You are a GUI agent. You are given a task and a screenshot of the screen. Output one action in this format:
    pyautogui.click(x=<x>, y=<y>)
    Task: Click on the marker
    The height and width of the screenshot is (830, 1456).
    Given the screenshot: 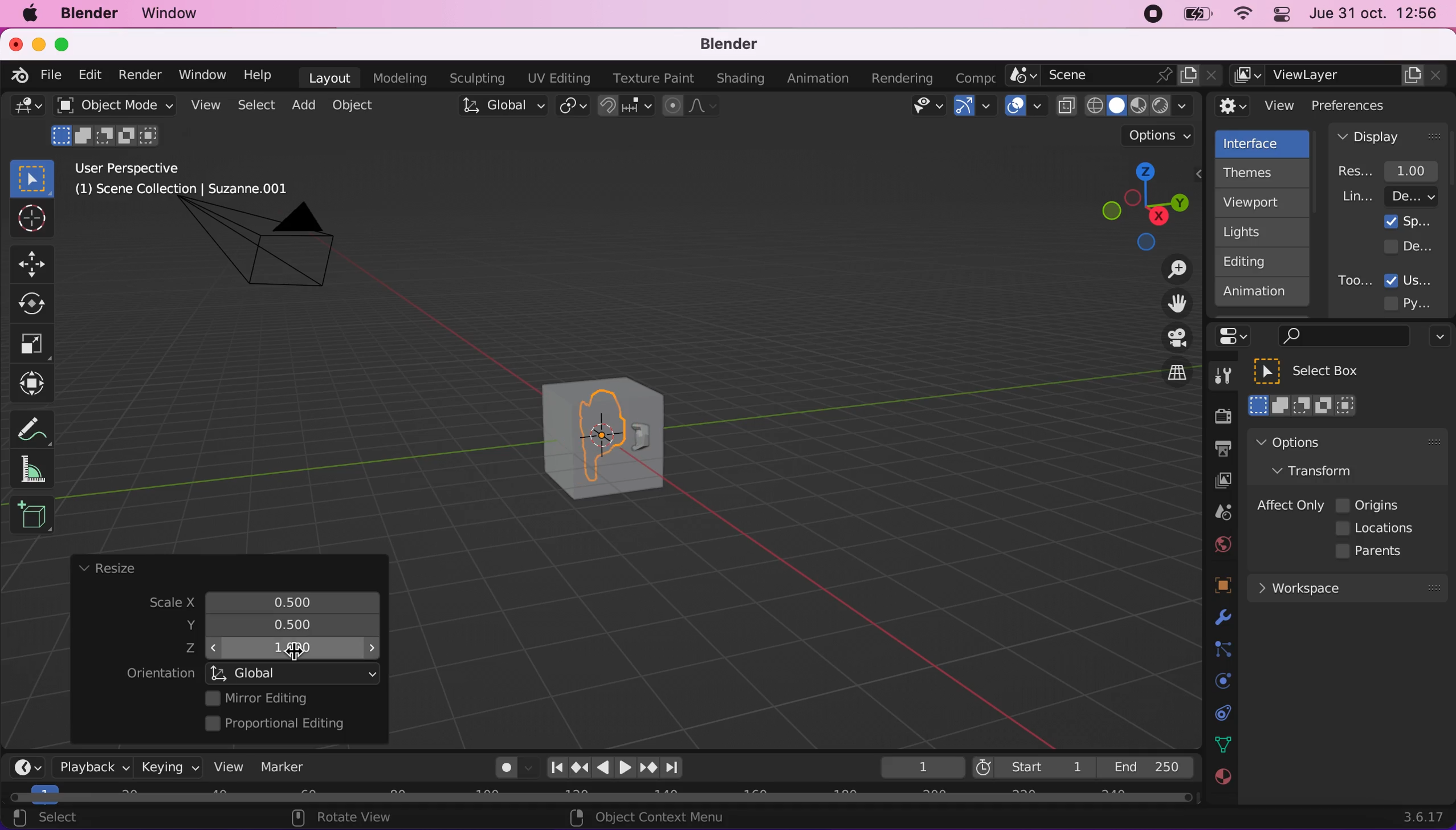 What is the action you would take?
    pyautogui.click(x=283, y=767)
    